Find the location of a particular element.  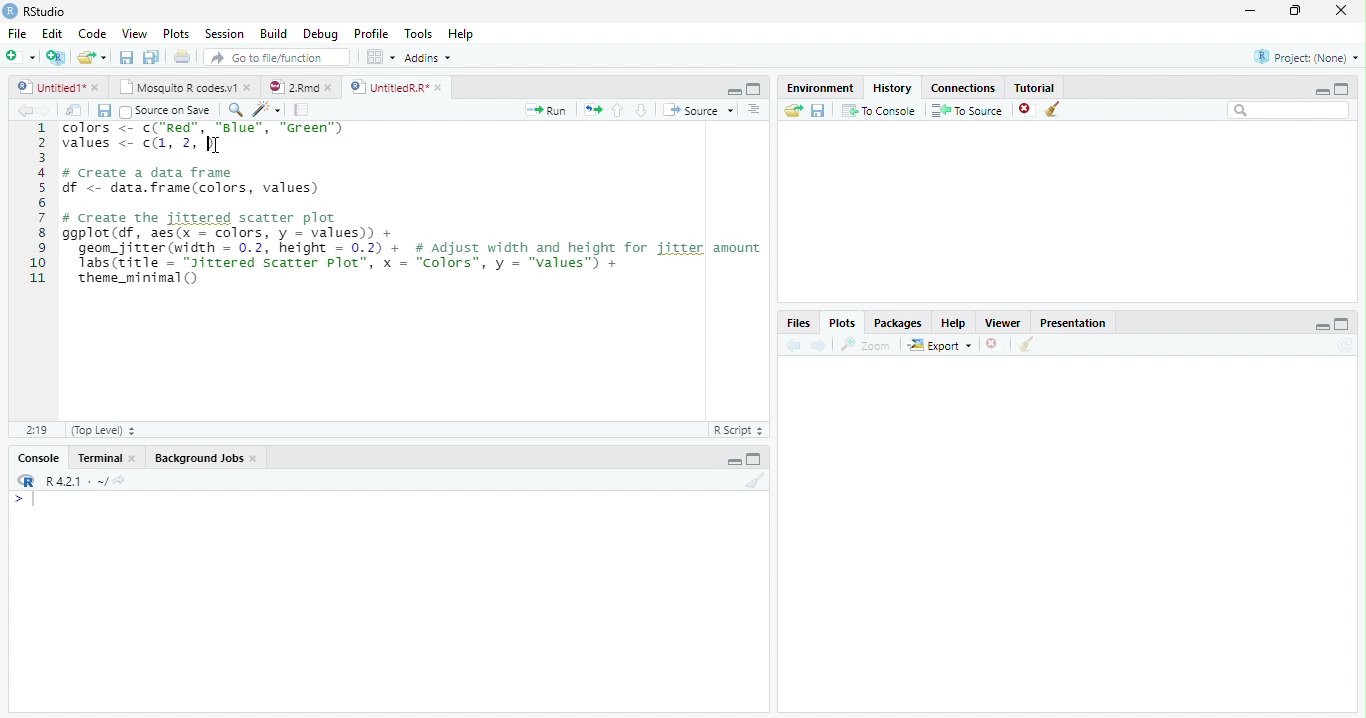

2.Rmd is located at coordinates (291, 87).